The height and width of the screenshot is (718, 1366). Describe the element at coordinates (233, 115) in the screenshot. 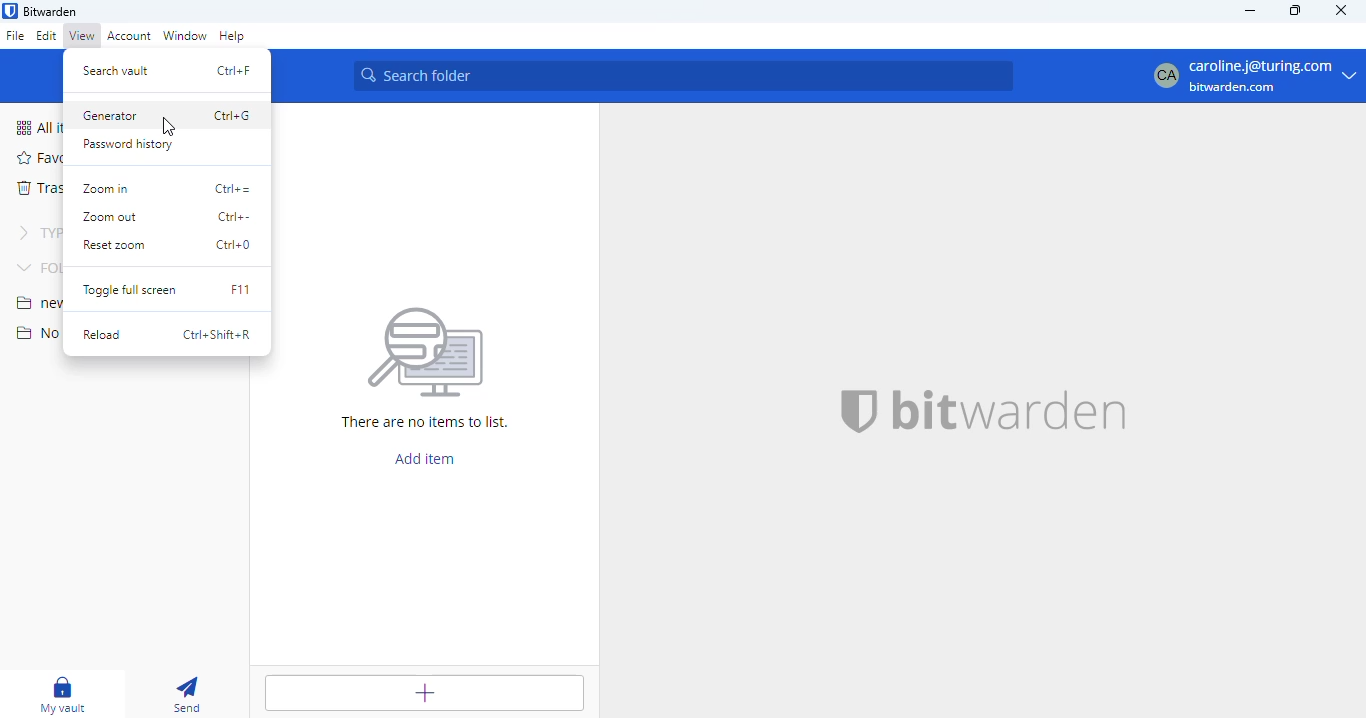

I see `shortcut for generator` at that location.